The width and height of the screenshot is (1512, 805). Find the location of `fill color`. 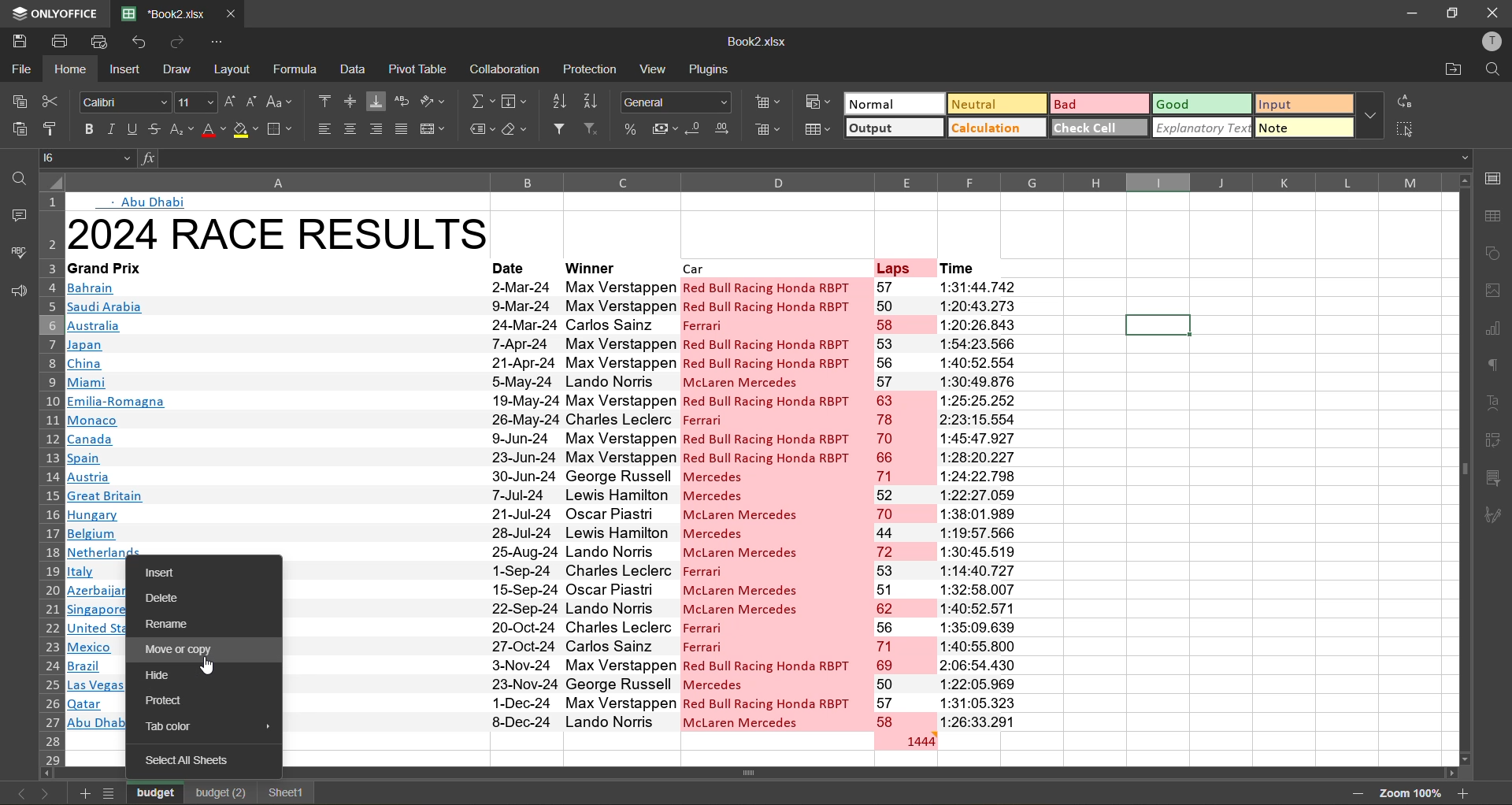

fill color is located at coordinates (247, 133).